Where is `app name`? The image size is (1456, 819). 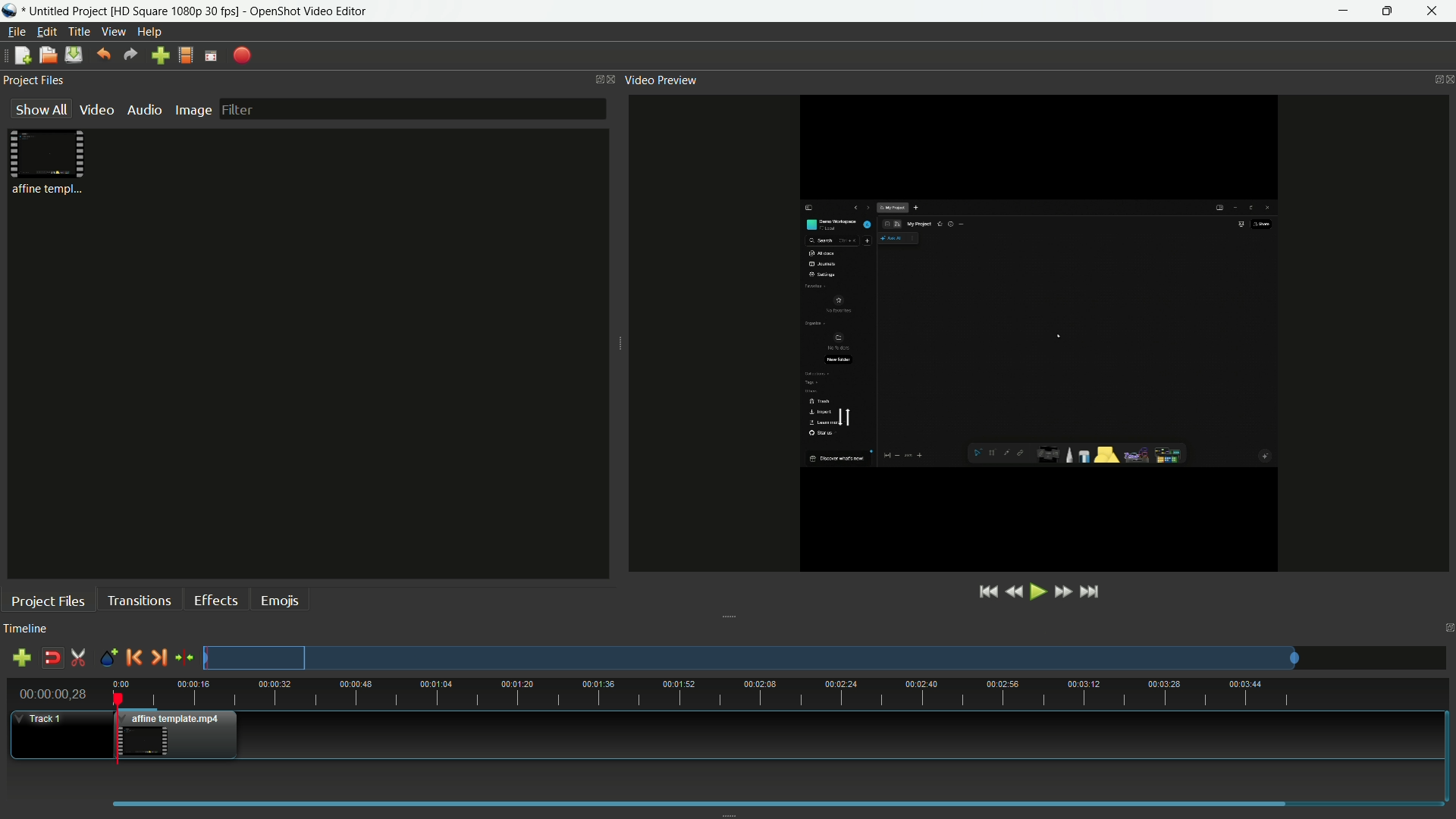
app name is located at coordinates (308, 11).